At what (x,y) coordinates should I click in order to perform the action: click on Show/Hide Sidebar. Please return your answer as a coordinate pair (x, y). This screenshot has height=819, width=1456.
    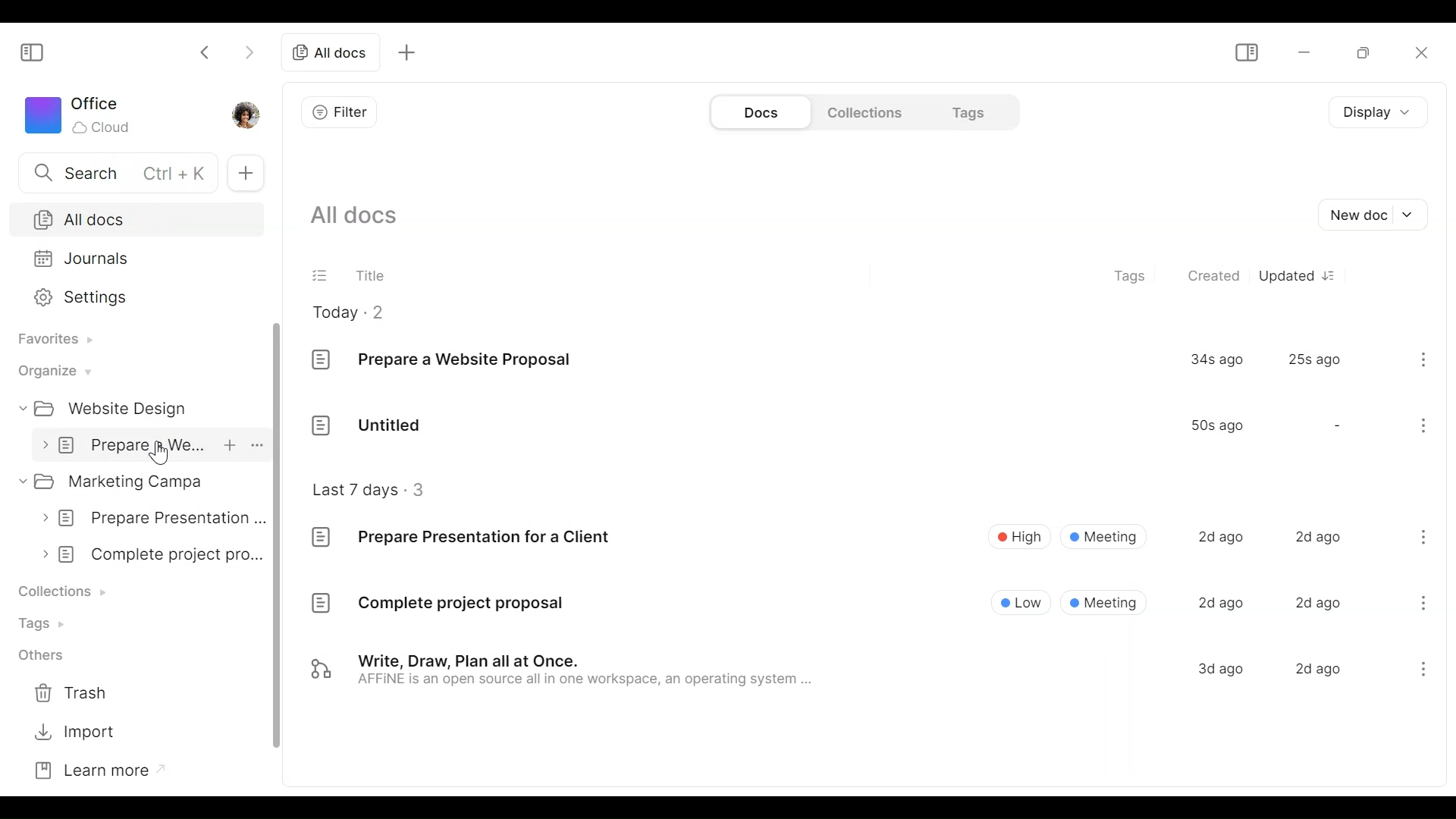
    Looking at the image, I should click on (1246, 52).